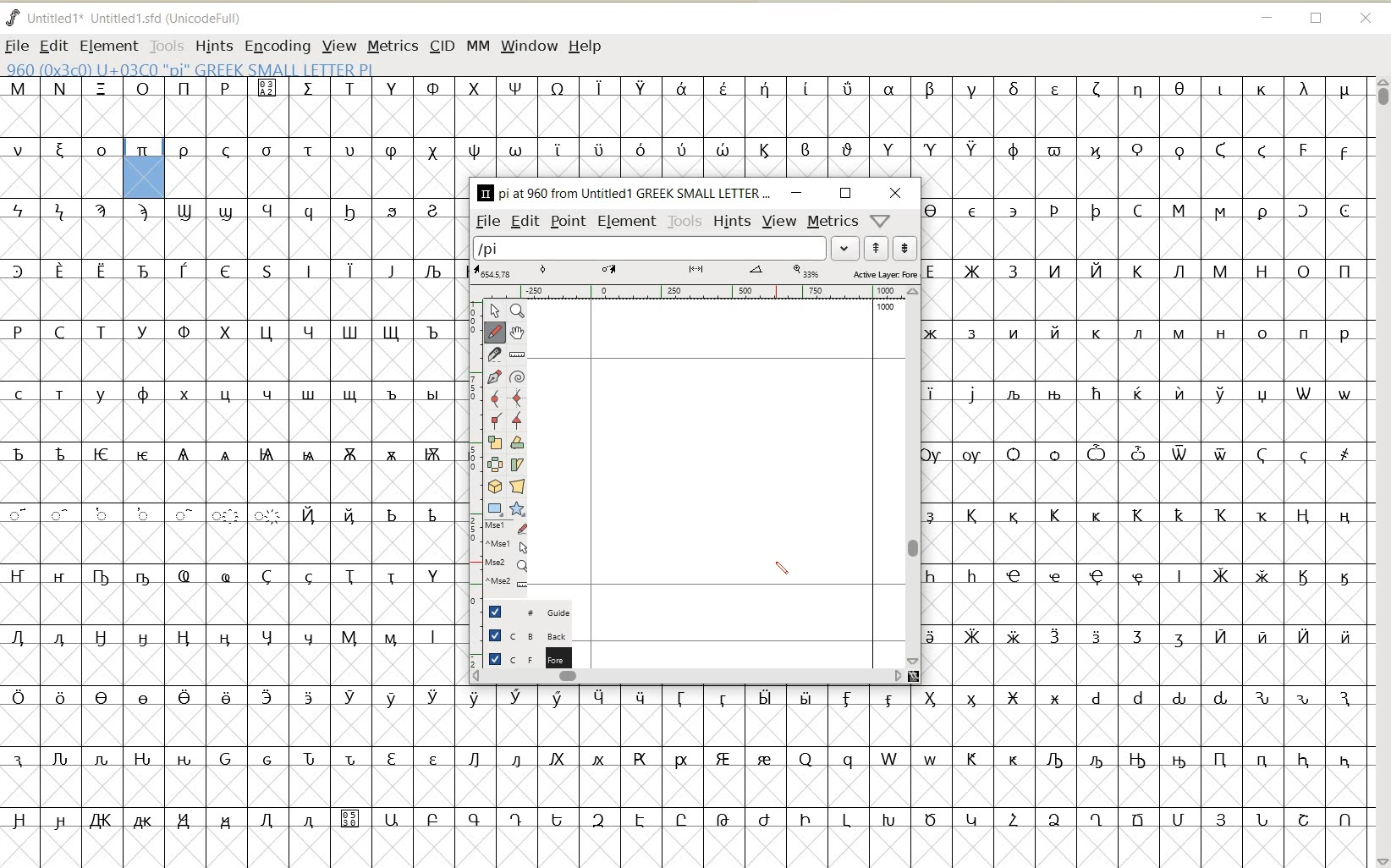  Describe the element at coordinates (1267, 18) in the screenshot. I see `MINIMIZE` at that location.